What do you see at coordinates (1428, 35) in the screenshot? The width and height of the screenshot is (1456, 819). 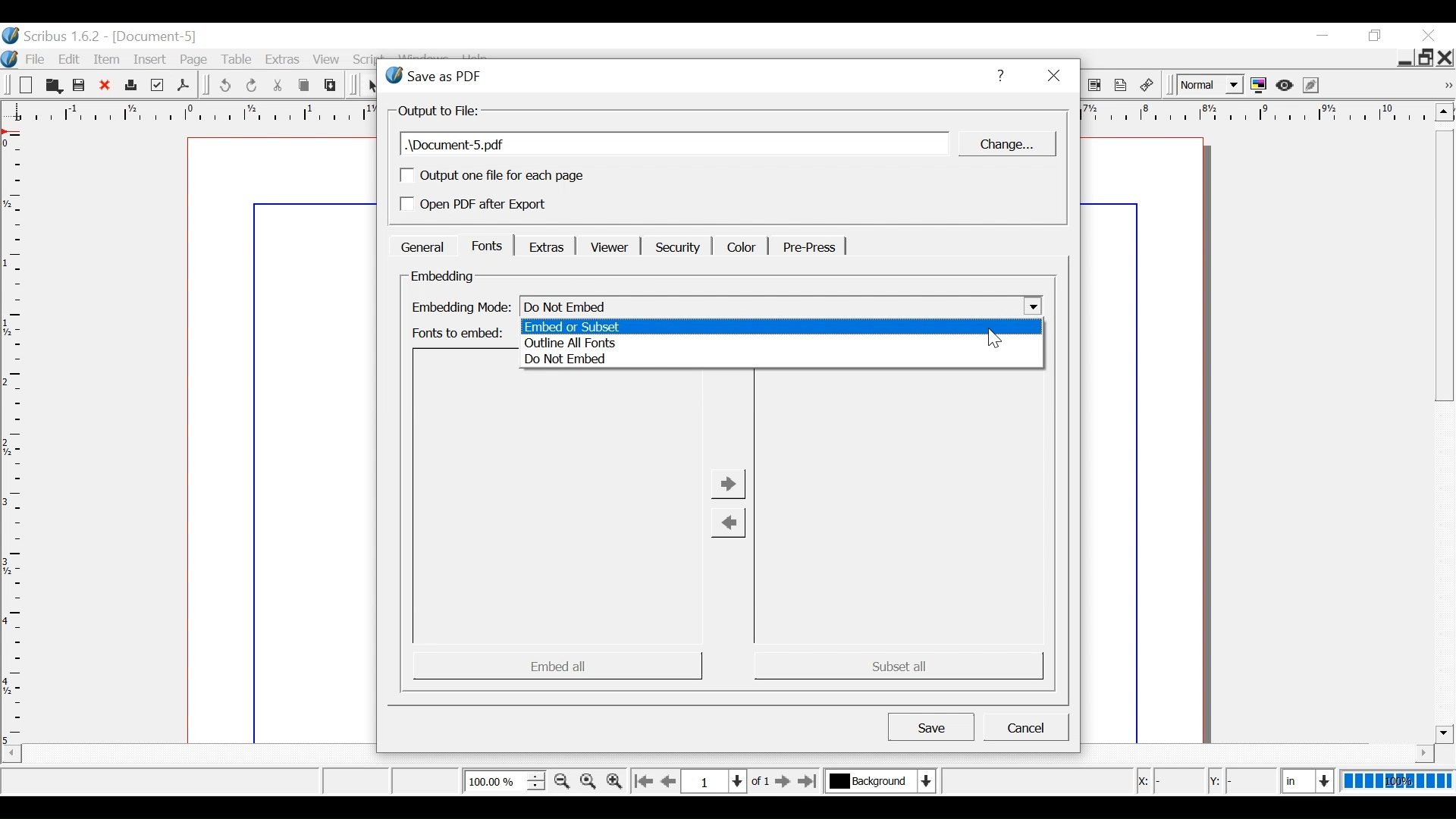 I see `Close` at bounding box center [1428, 35].